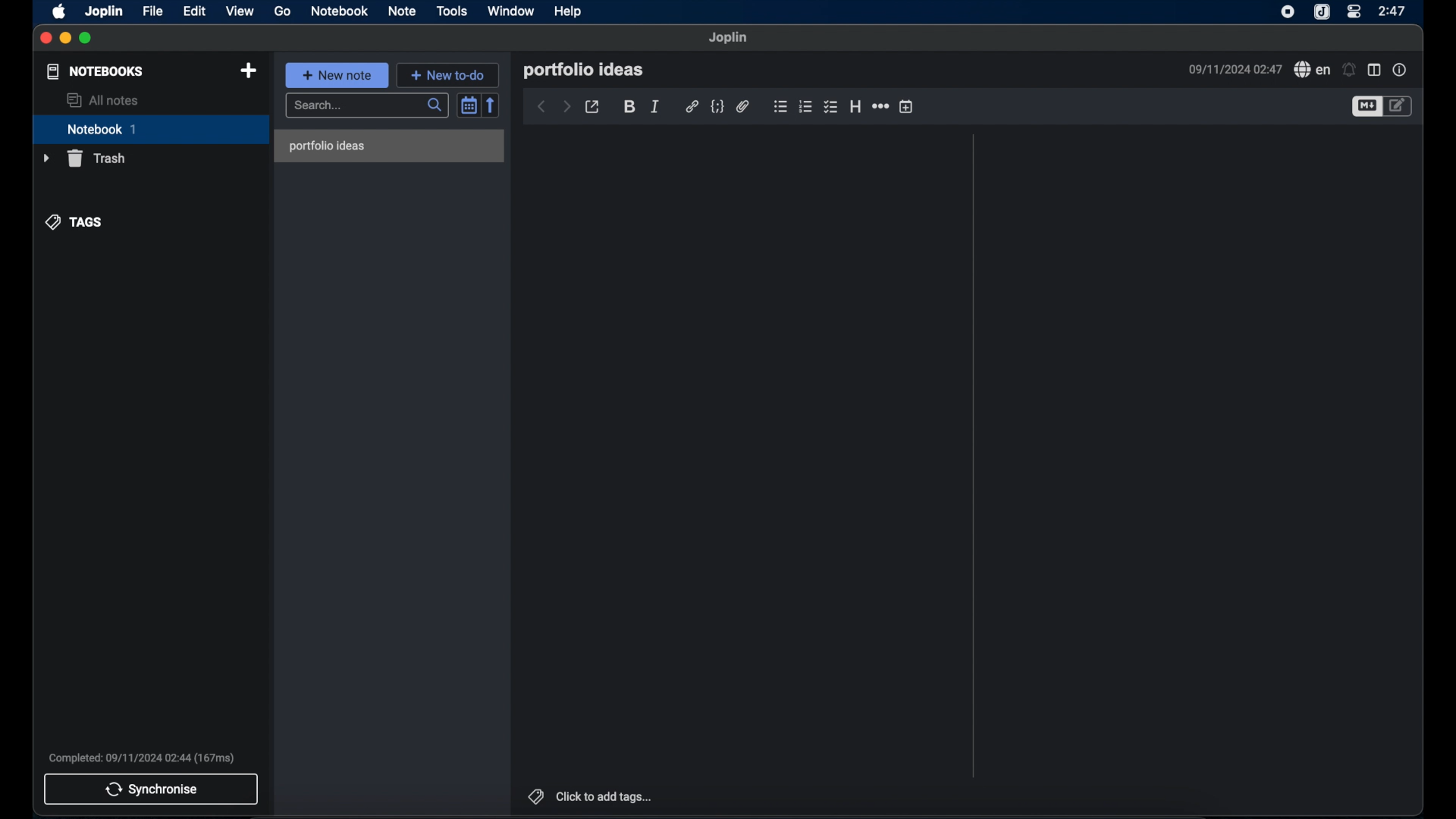  Describe the element at coordinates (1348, 70) in the screenshot. I see `set alarm` at that location.